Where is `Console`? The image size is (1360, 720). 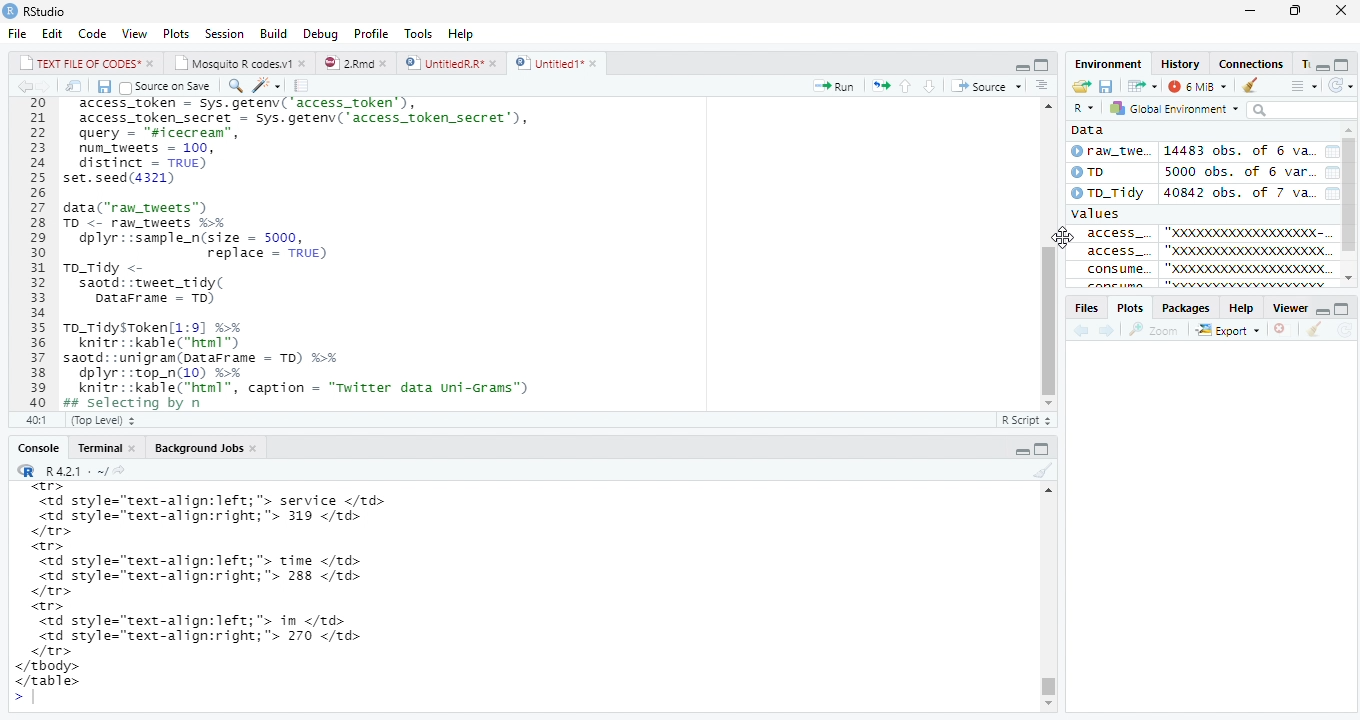
Console is located at coordinates (32, 447).